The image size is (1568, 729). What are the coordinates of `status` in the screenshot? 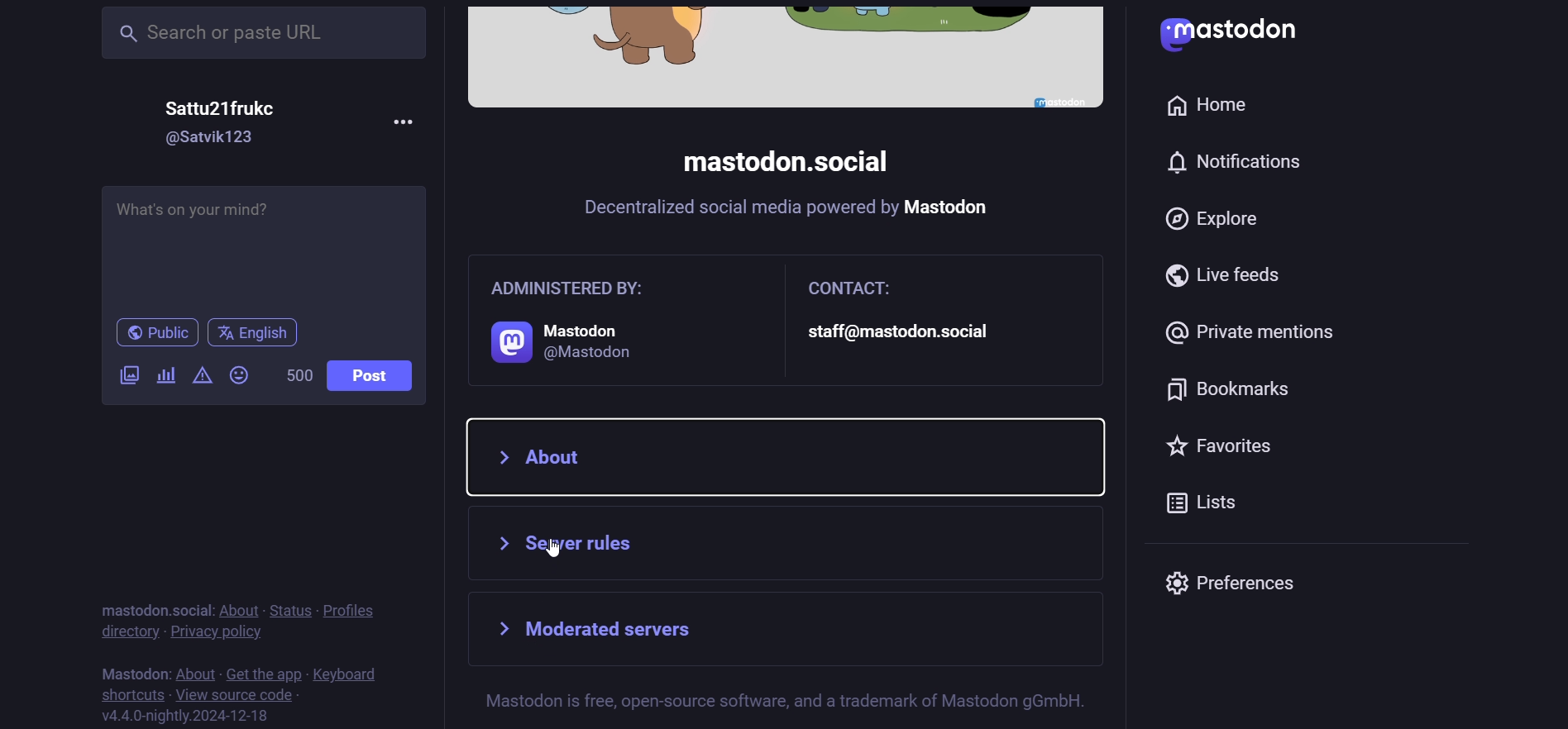 It's located at (287, 608).